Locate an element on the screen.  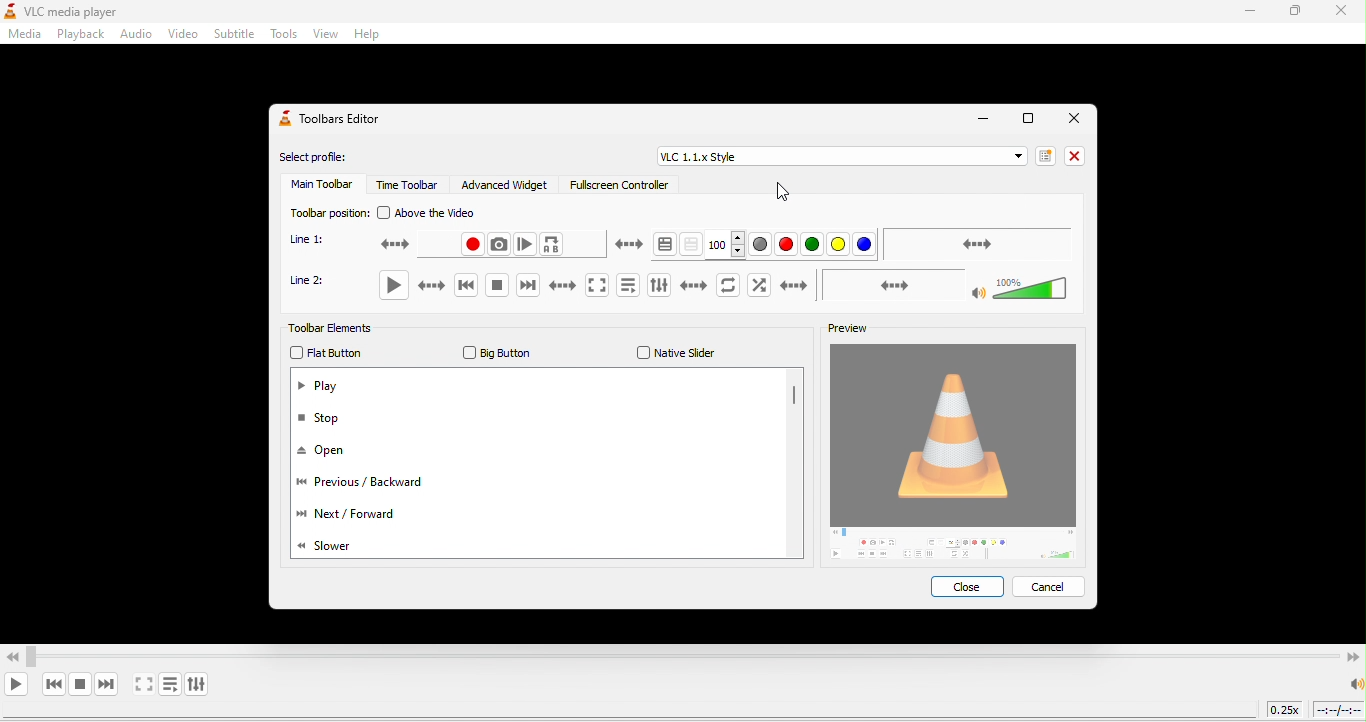
cursor movement is located at coordinates (781, 191).